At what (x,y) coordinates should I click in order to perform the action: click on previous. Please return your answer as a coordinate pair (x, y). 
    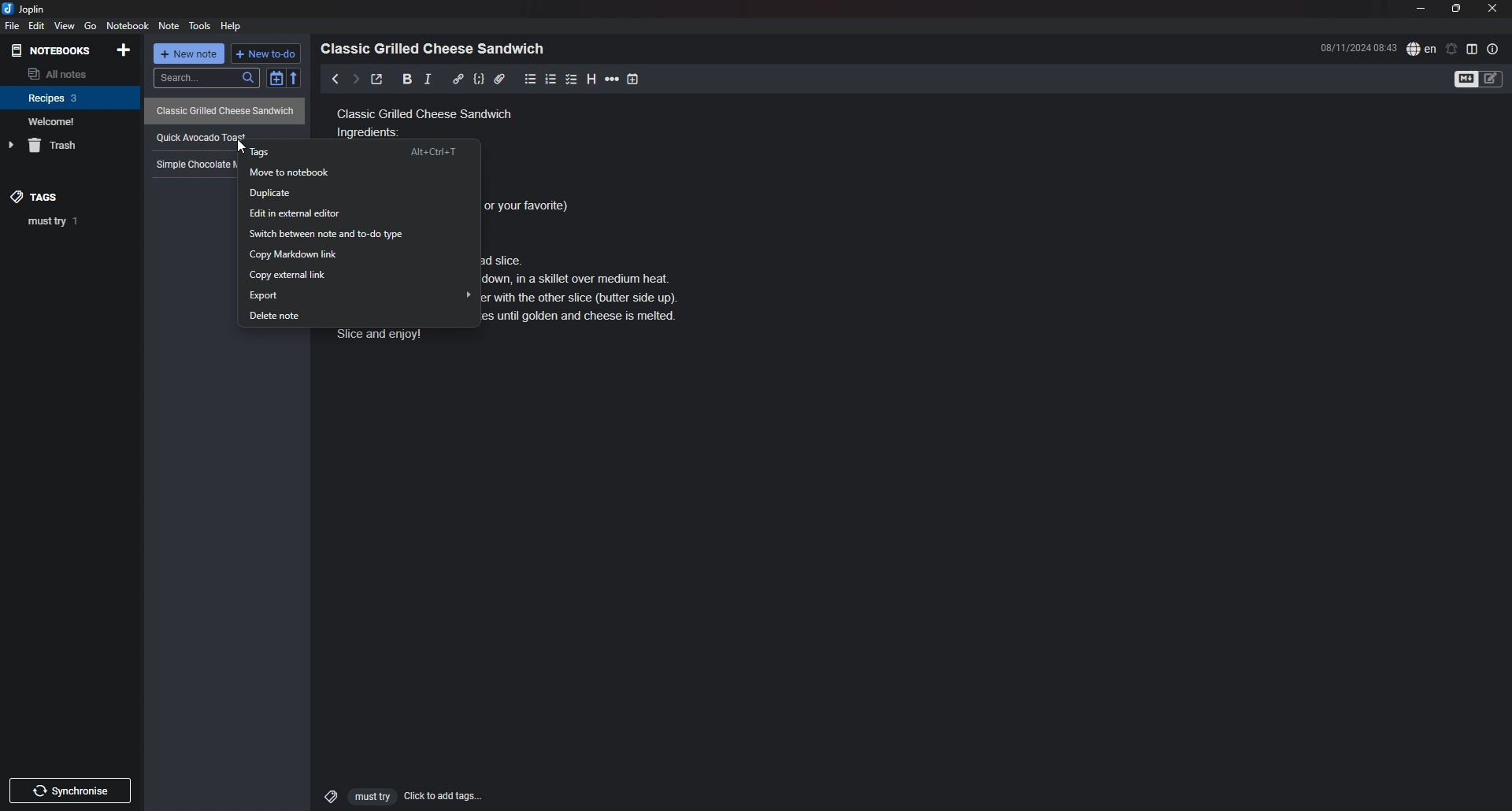
    Looking at the image, I should click on (335, 79).